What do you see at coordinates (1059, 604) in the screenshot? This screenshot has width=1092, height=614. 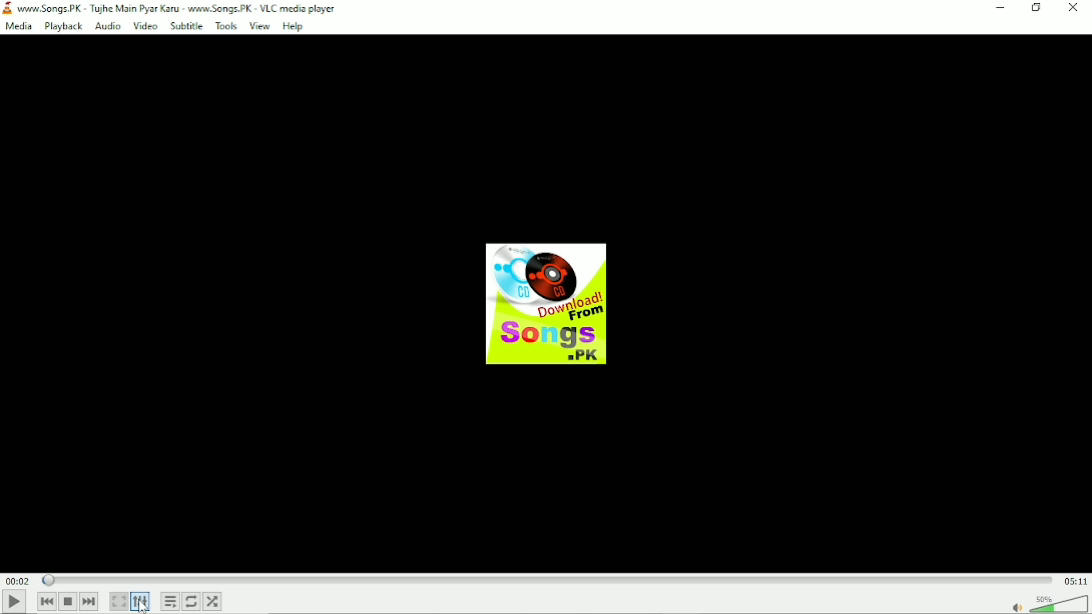 I see `Volume` at bounding box center [1059, 604].